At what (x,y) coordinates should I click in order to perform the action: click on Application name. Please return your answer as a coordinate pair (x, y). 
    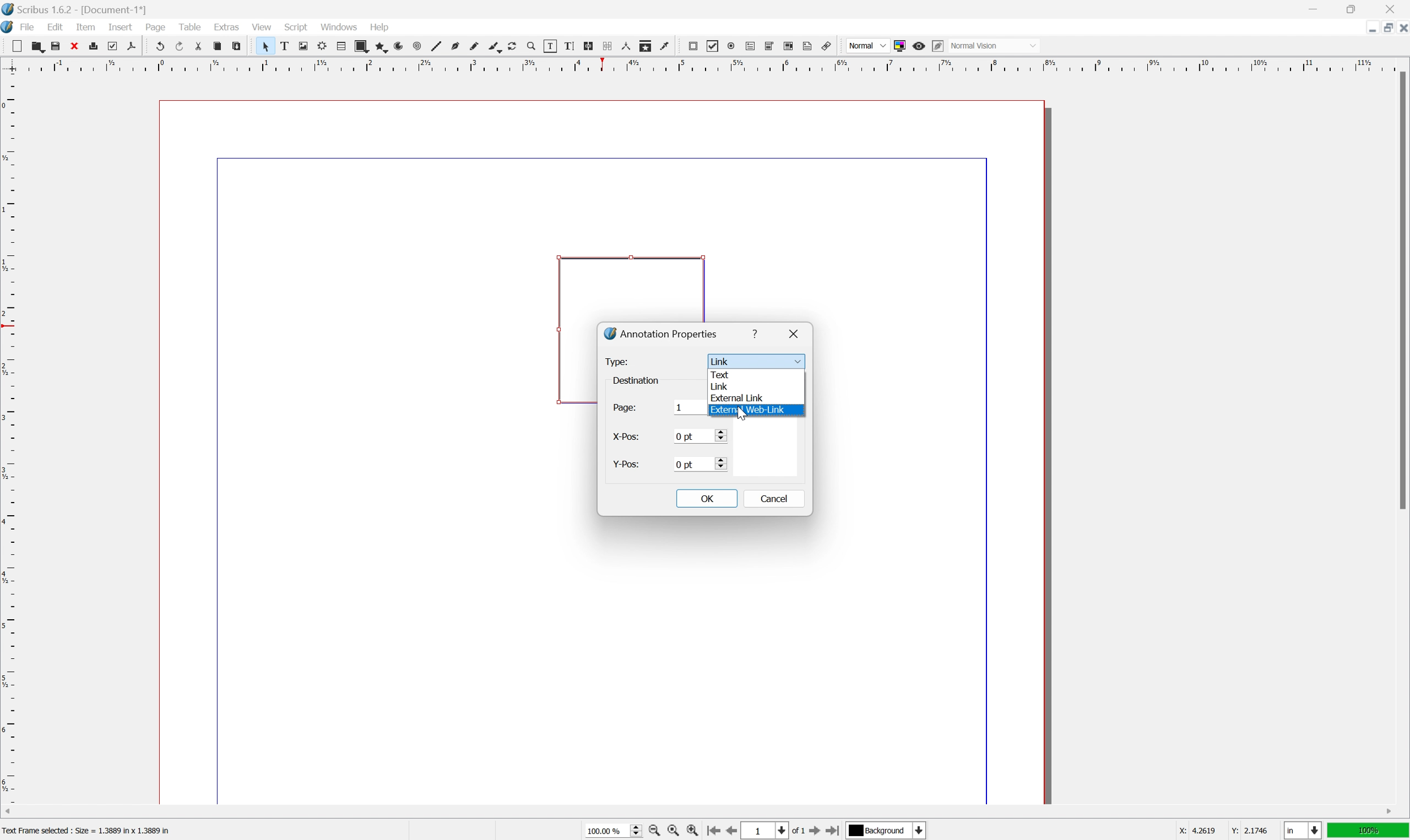
    Looking at the image, I should click on (75, 9).